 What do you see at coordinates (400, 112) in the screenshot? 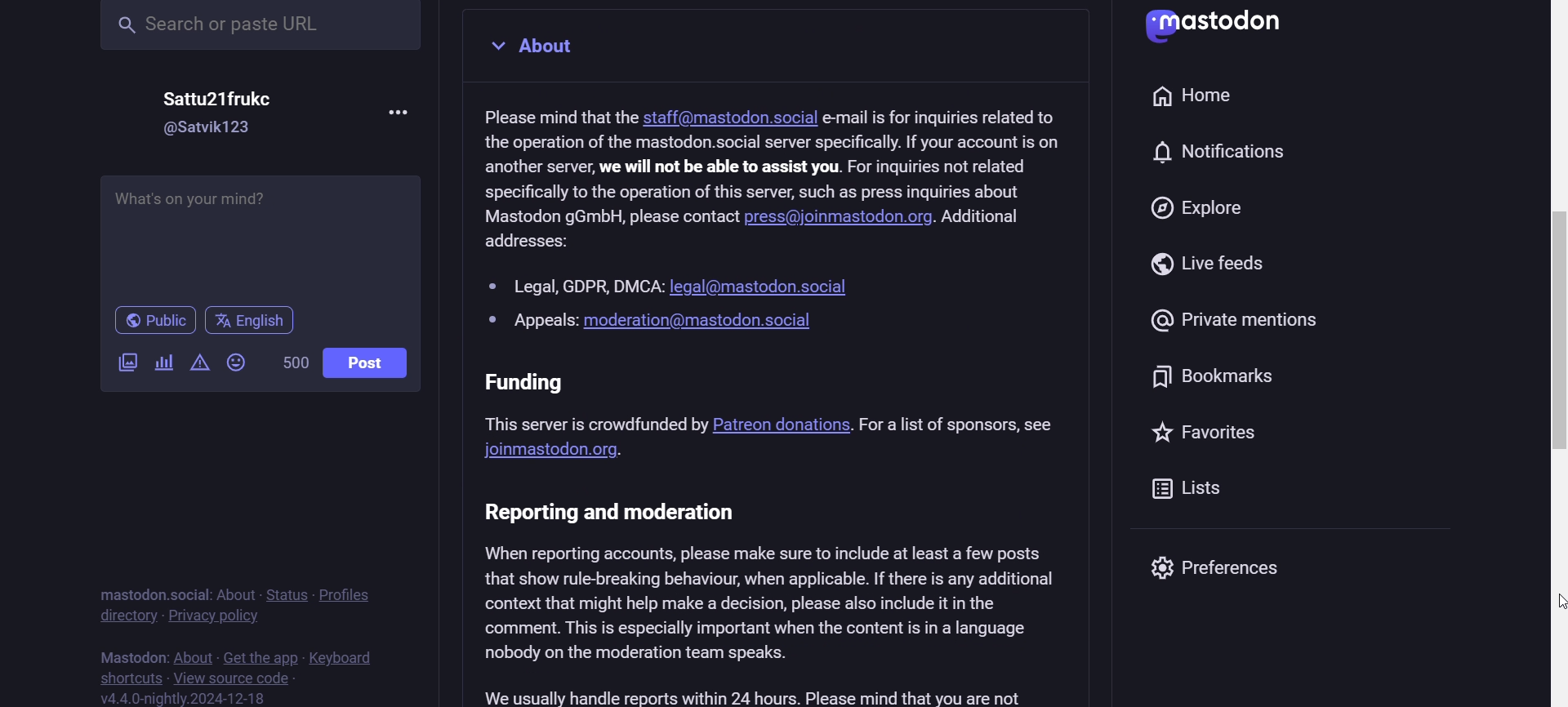
I see `more` at bounding box center [400, 112].